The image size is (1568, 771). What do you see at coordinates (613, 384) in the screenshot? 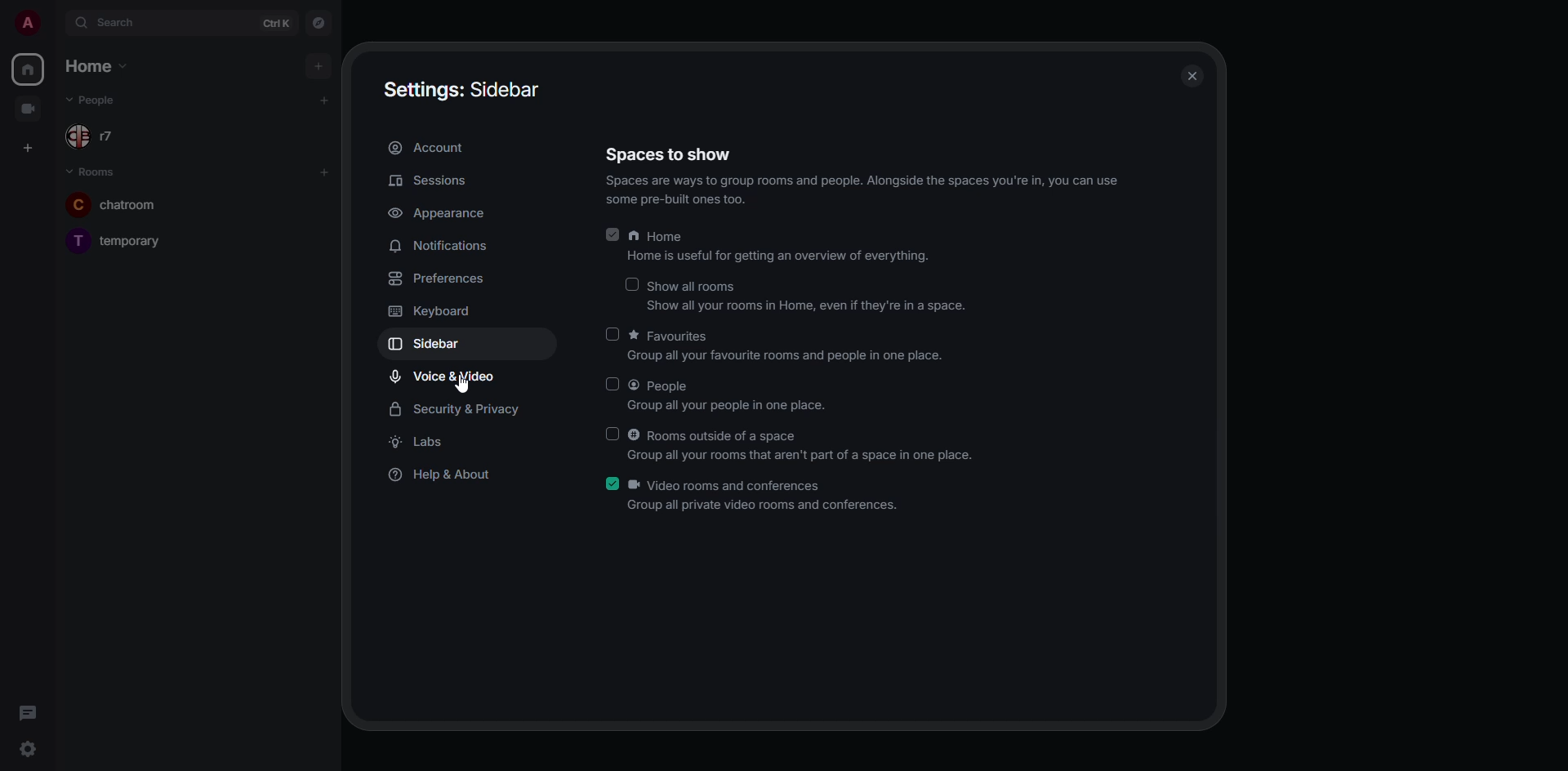
I see `click to enable` at bounding box center [613, 384].